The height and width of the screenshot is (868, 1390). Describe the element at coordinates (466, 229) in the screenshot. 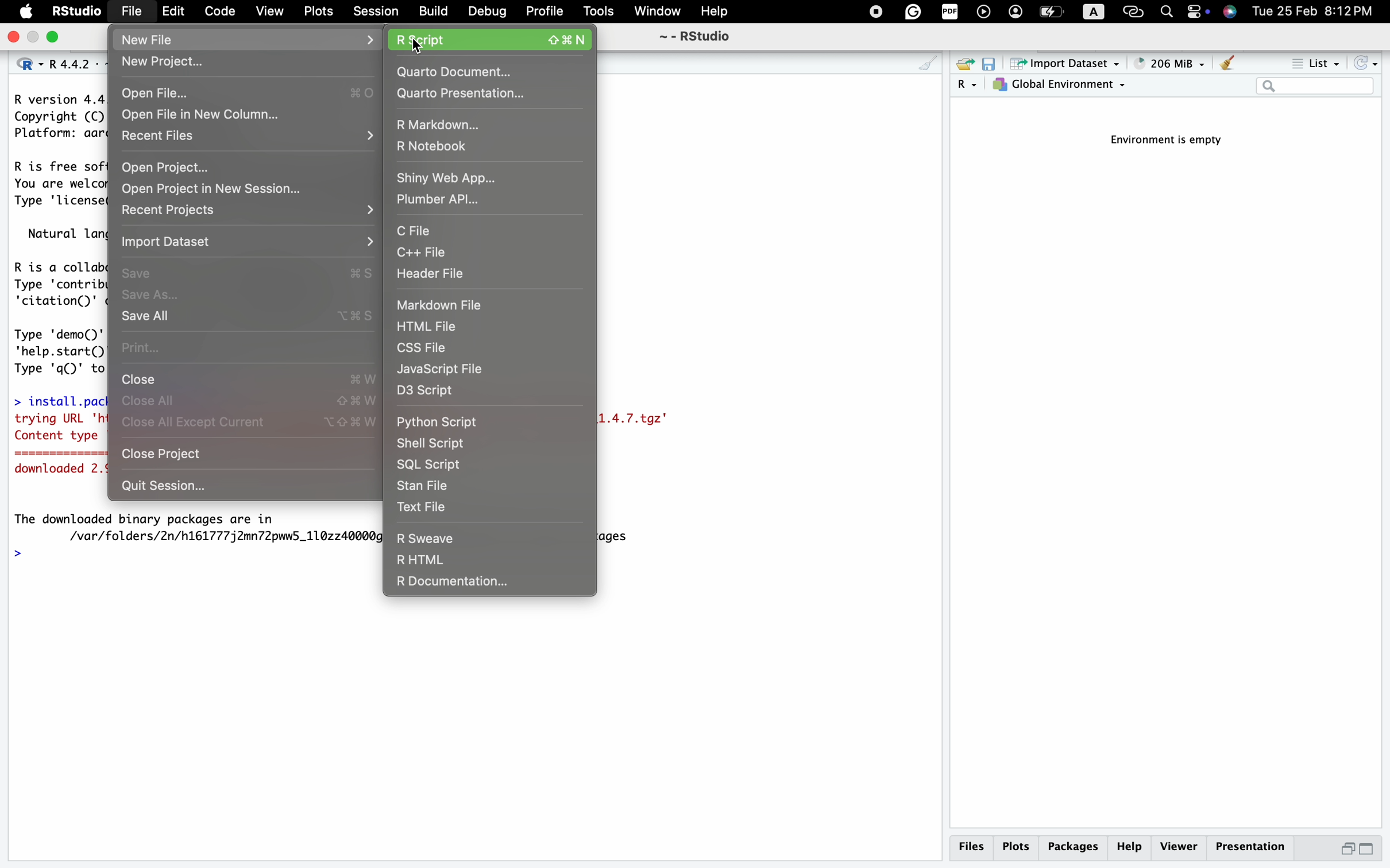

I see `C File` at that location.